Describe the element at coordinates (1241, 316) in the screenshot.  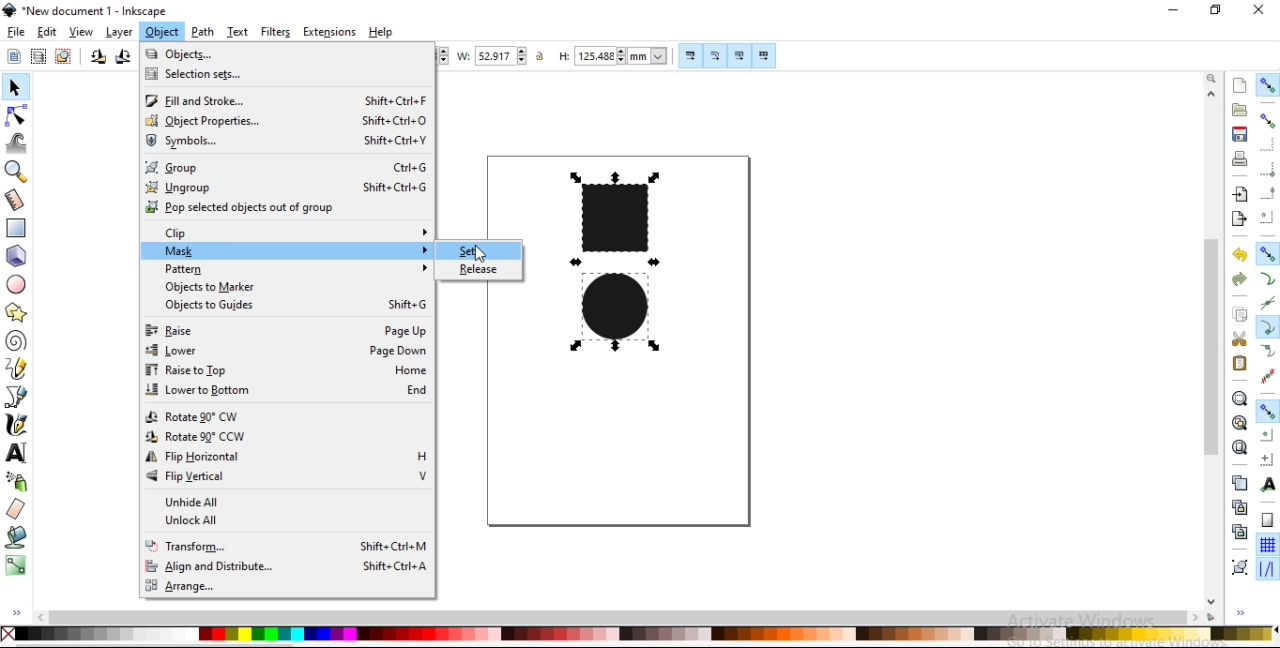
I see `copy` at that location.